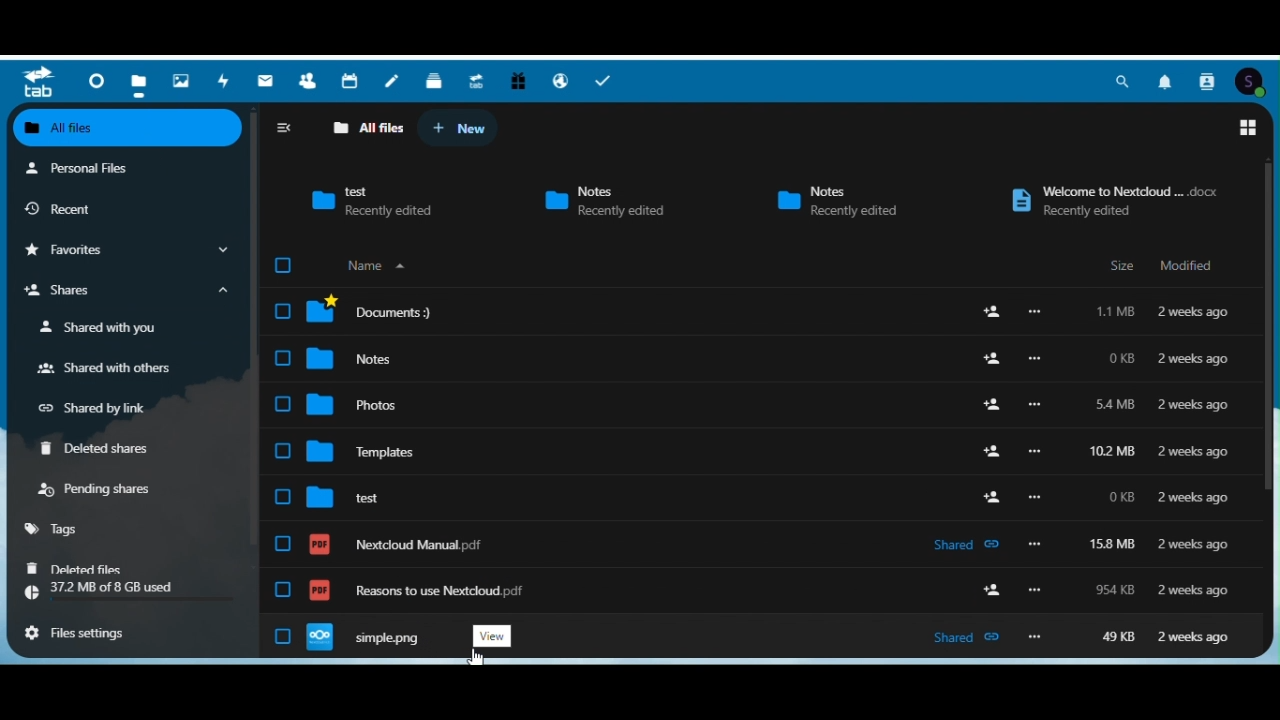 The width and height of the screenshot is (1280, 720). What do you see at coordinates (86, 206) in the screenshot?
I see `Recent` at bounding box center [86, 206].